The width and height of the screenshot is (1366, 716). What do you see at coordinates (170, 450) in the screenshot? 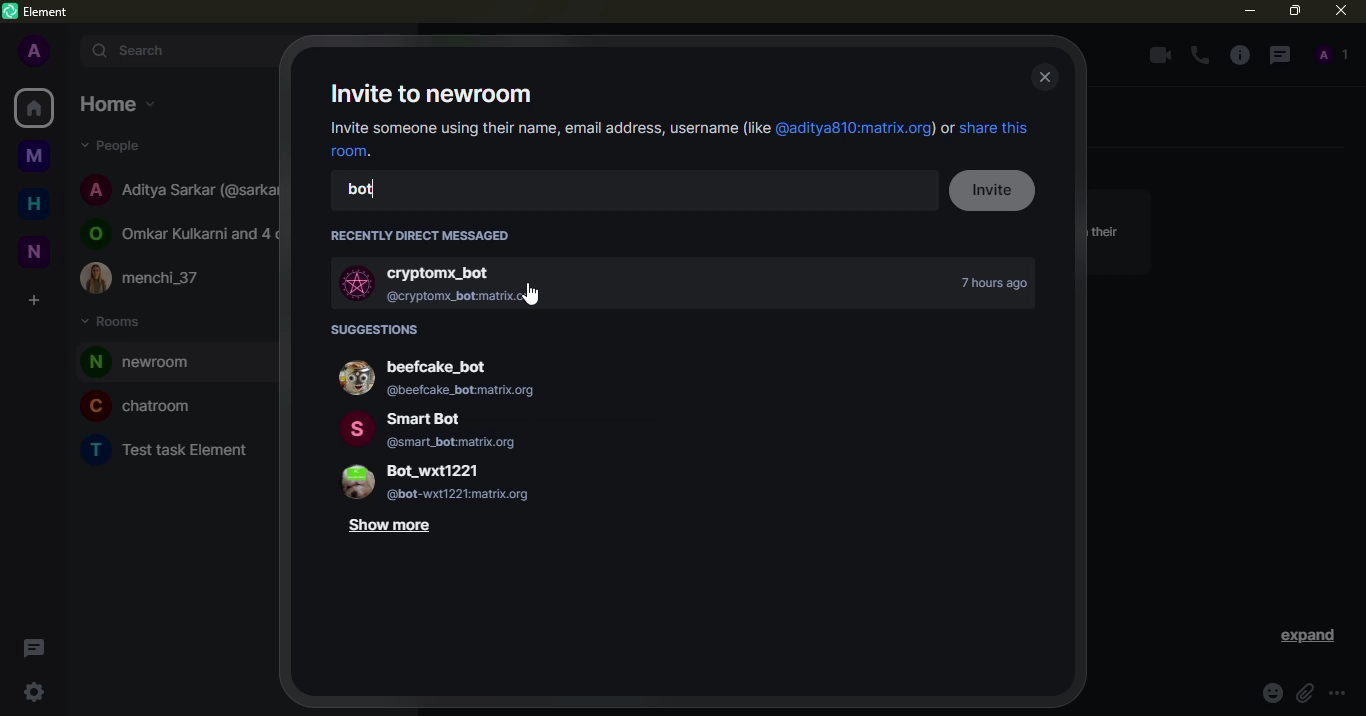
I see `Test task Element` at bounding box center [170, 450].